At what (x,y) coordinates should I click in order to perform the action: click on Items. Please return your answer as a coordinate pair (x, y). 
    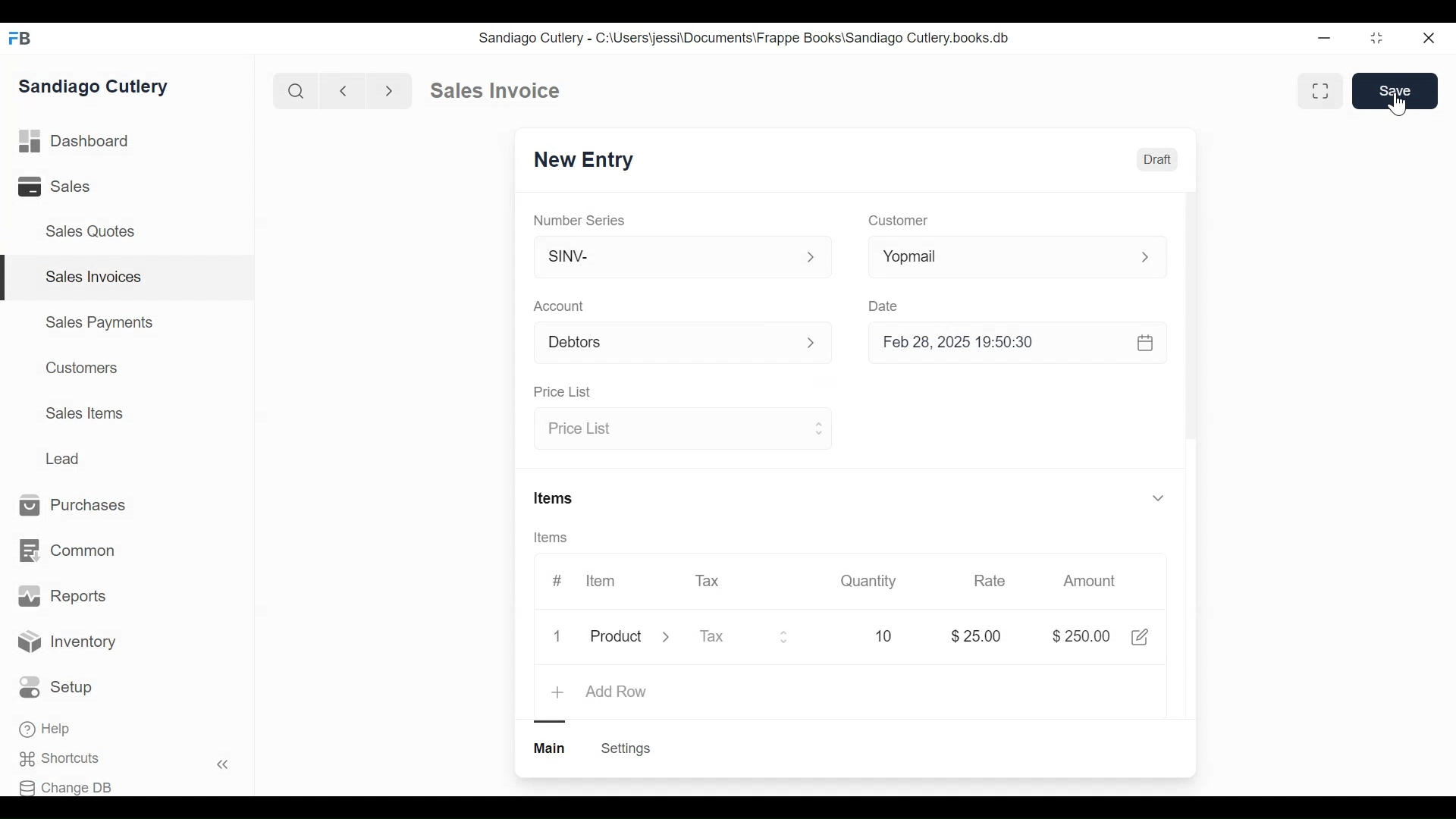
    Looking at the image, I should click on (556, 497).